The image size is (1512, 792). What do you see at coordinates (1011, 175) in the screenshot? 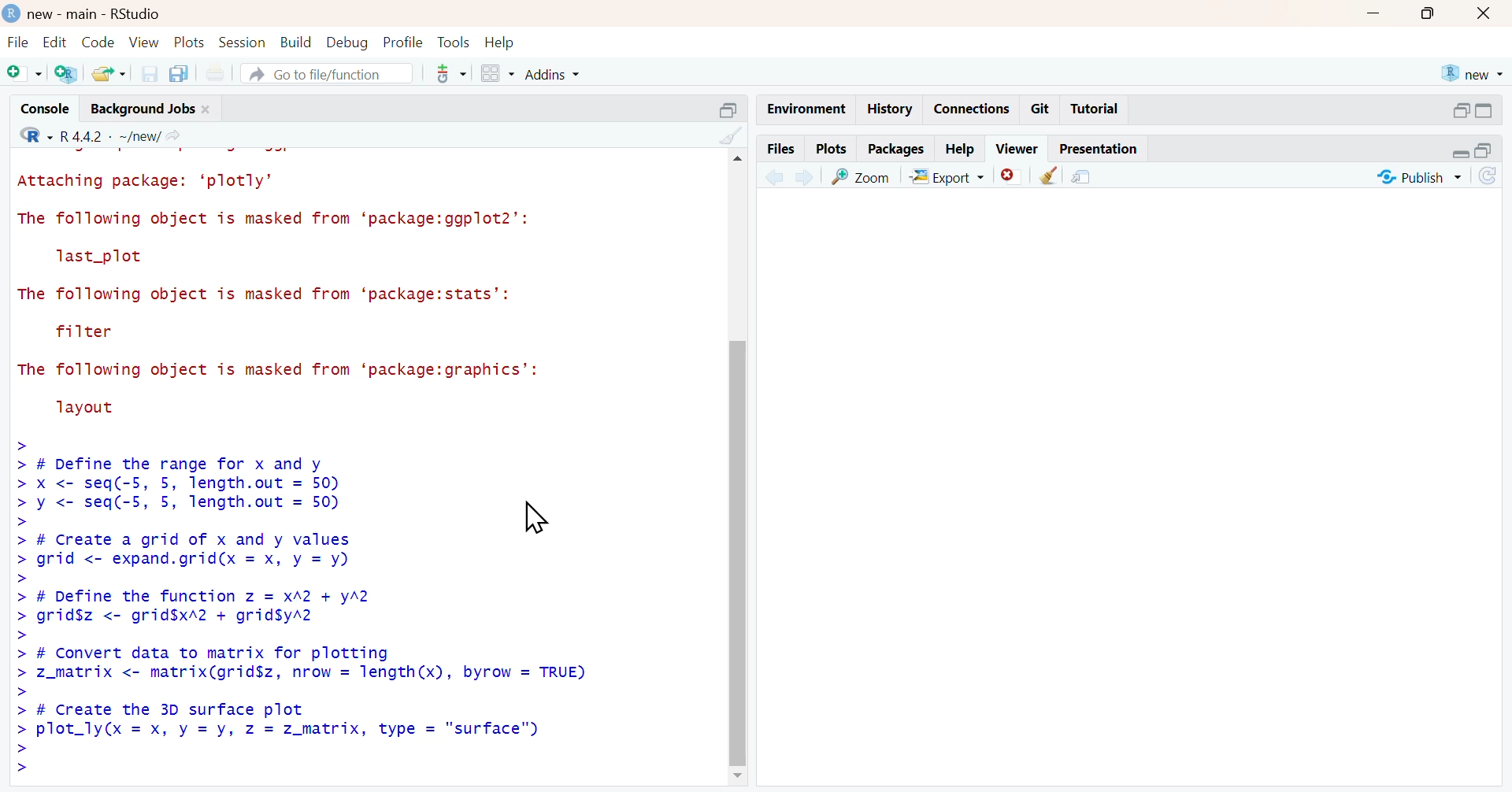
I see `remove the current plot` at bounding box center [1011, 175].